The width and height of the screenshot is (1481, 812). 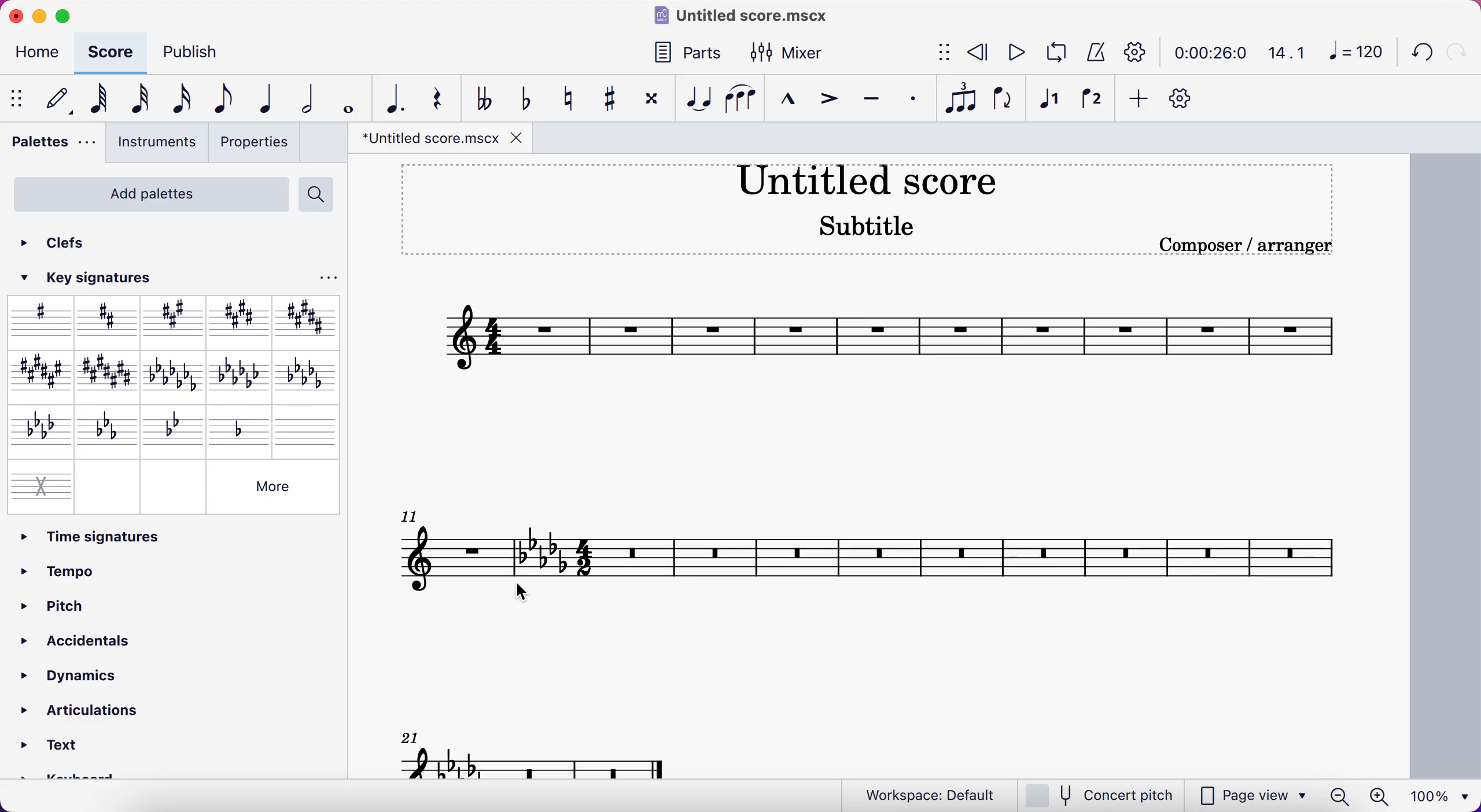 What do you see at coordinates (156, 146) in the screenshot?
I see `instruments` at bounding box center [156, 146].